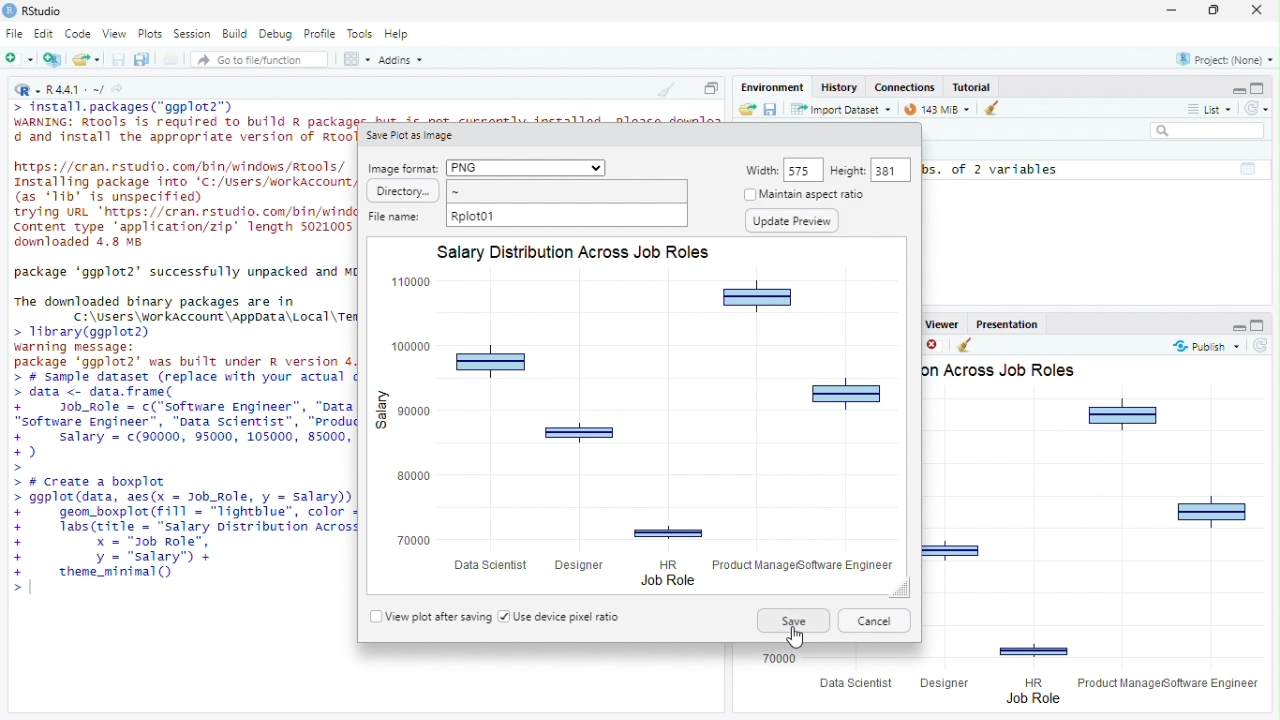 This screenshot has width=1280, height=720. What do you see at coordinates (118, 59) in the screenshot?
I see `Save current document` at bounding box center [118, 59].